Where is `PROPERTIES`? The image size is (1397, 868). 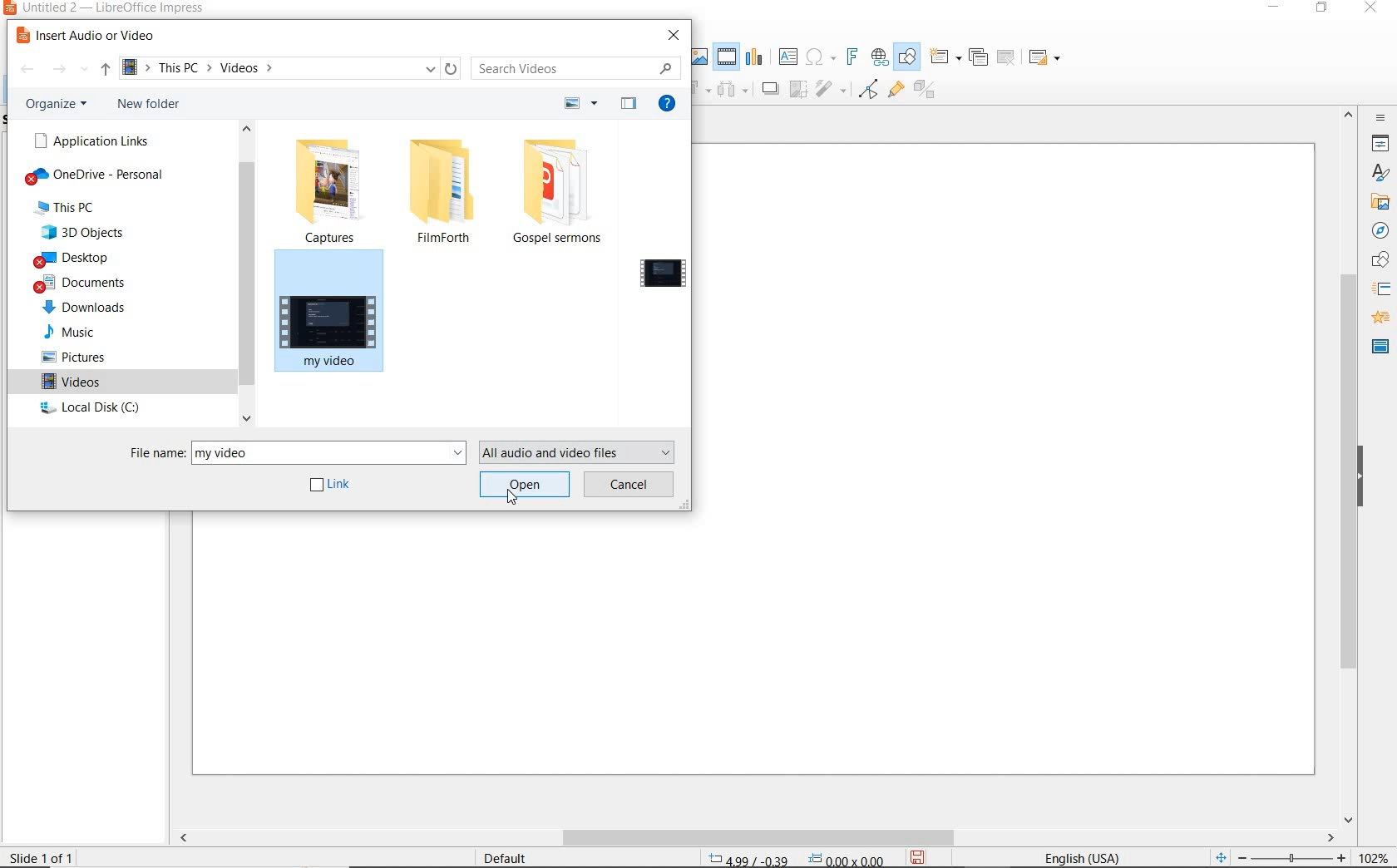 PROPERTIES is located at coordinates (1382, 145).